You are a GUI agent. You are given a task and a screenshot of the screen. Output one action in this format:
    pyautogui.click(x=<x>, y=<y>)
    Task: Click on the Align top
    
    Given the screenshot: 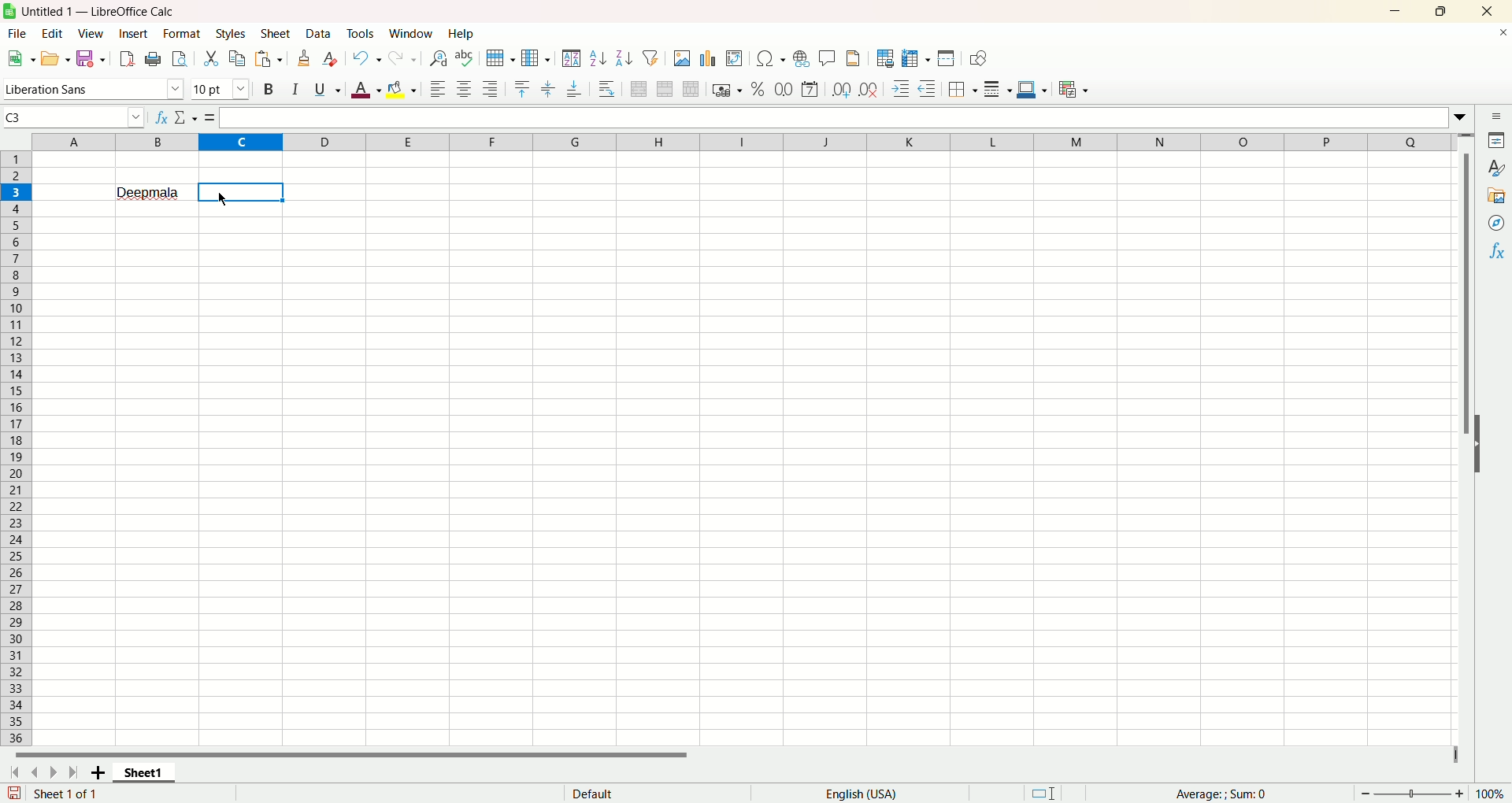 What is the action you would take?
    pyautogui.click(x=521, y=90)
    